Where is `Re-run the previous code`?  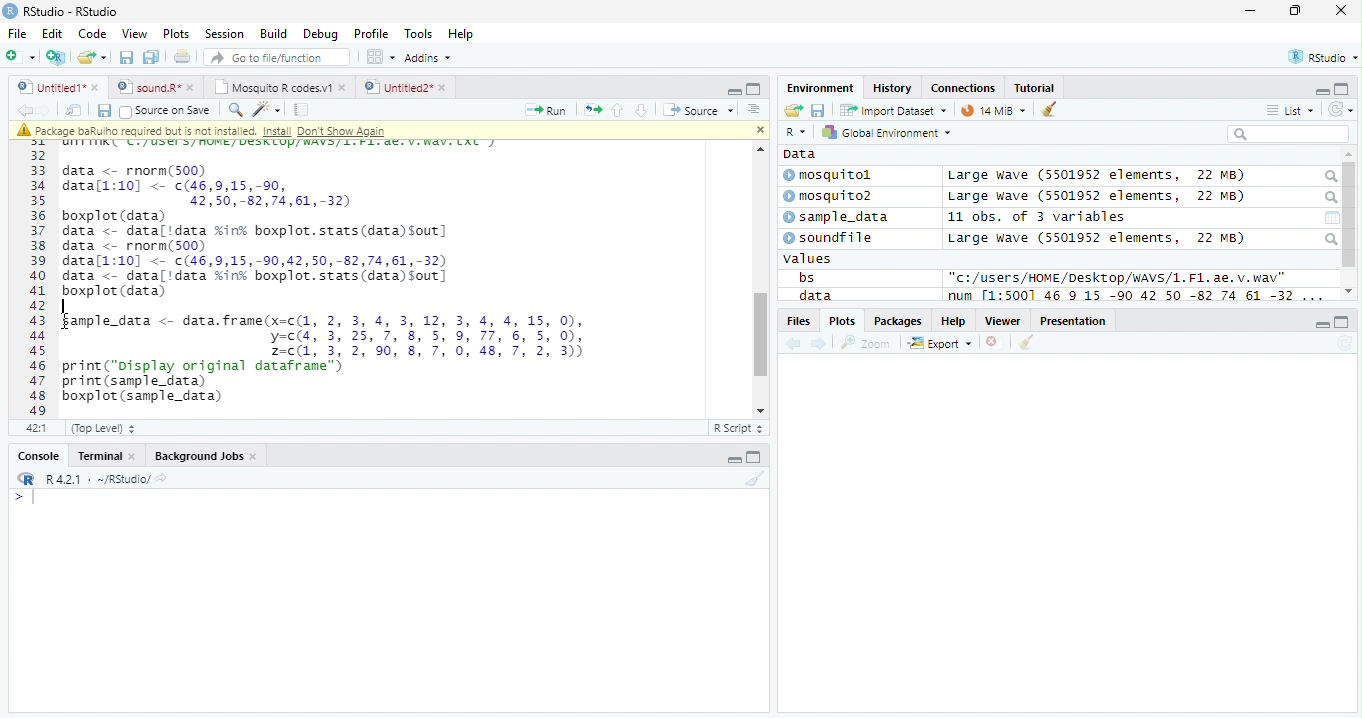
Re-run the previous code is located at coordinates (592, 110).